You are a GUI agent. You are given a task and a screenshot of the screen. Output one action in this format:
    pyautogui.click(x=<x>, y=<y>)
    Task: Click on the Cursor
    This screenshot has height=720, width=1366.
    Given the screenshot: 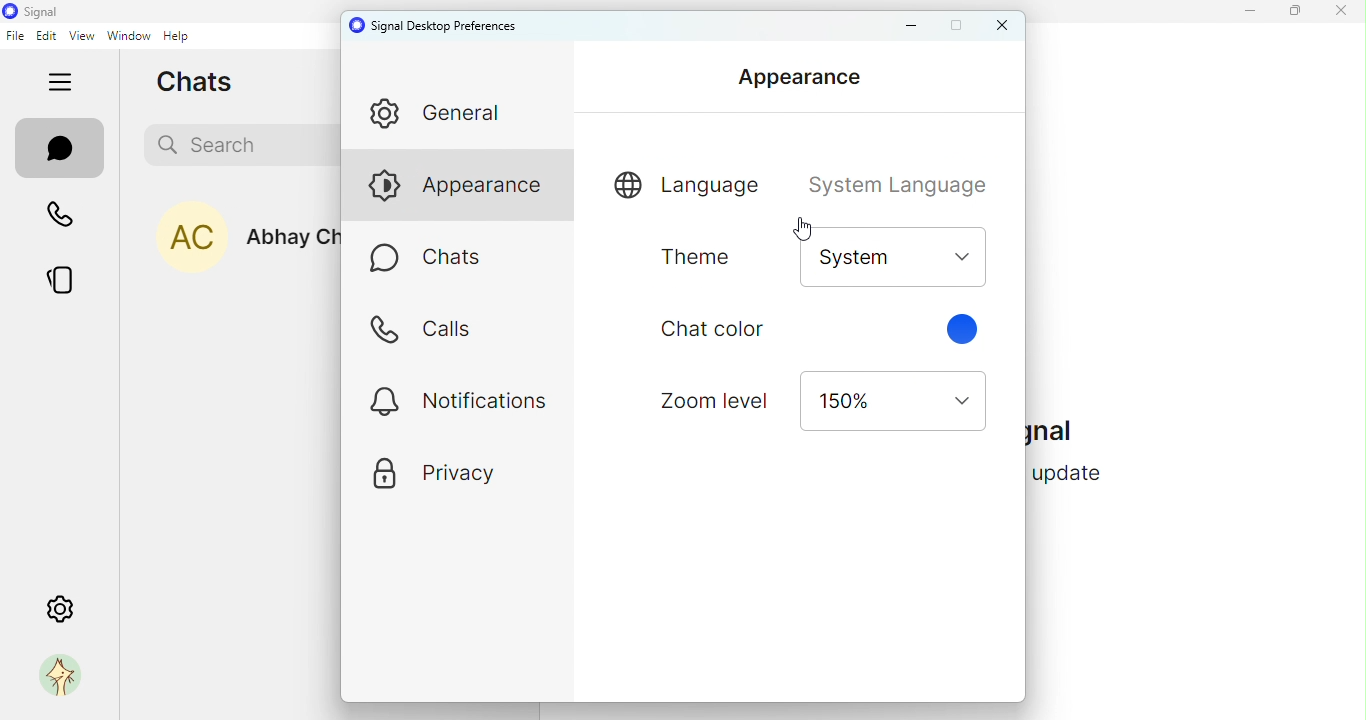 What is the action you would take?
    pyautogui.click(x=957, y=326)
    